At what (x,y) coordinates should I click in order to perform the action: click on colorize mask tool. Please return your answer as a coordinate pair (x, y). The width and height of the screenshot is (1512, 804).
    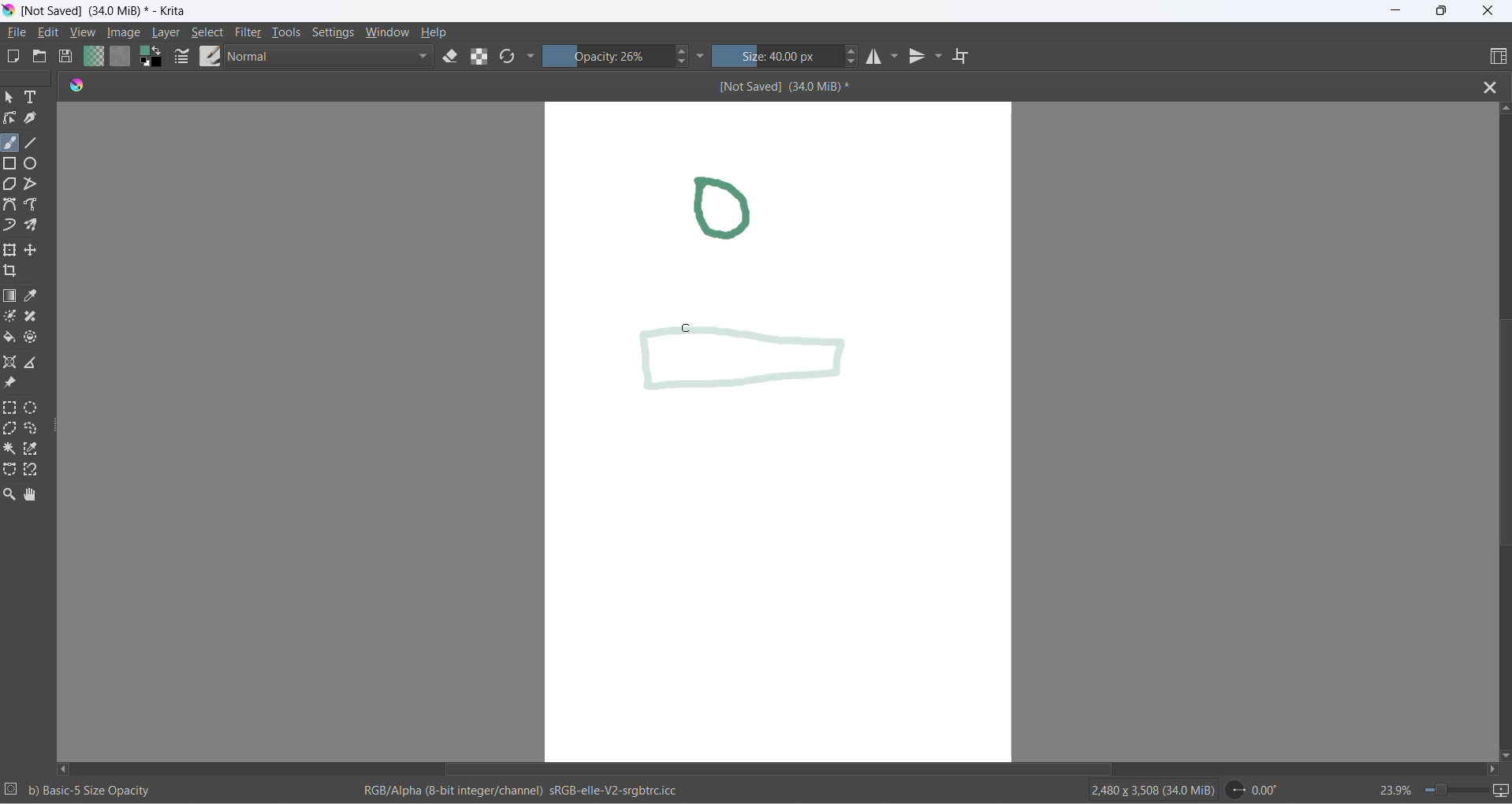
    Looking at the image, I should click on (12, 317).